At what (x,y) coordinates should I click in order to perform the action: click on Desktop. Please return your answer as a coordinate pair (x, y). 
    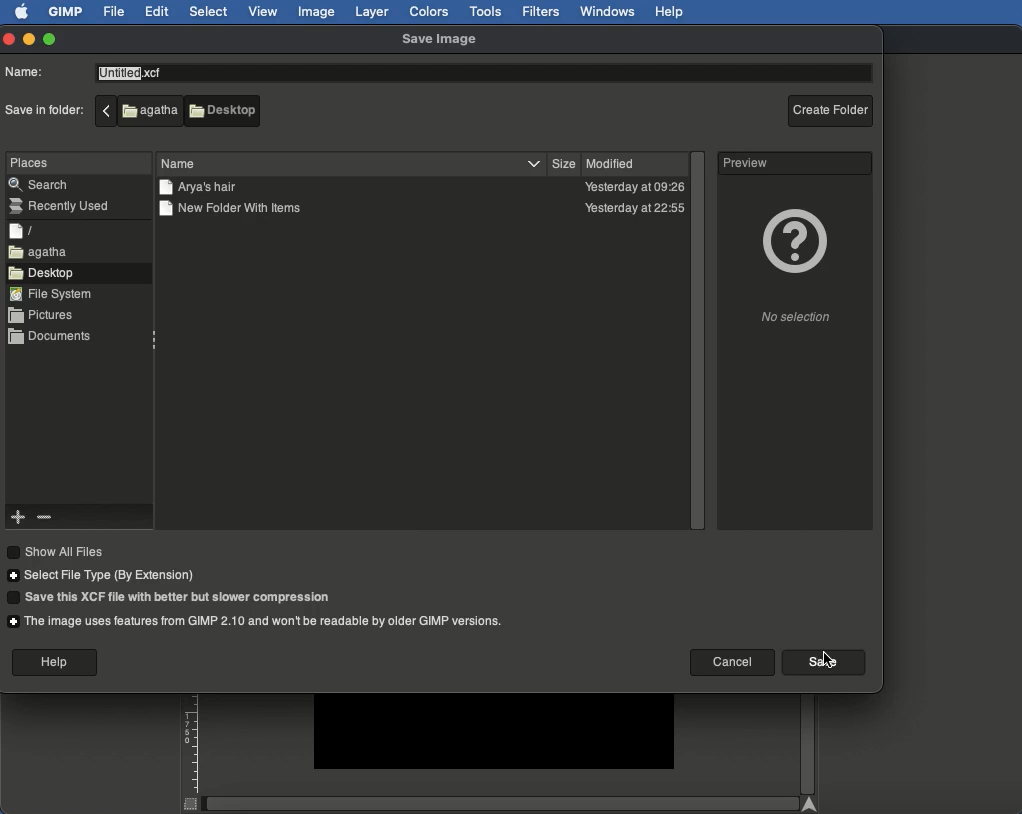
    Looking at the image, I should click on (46, 272).